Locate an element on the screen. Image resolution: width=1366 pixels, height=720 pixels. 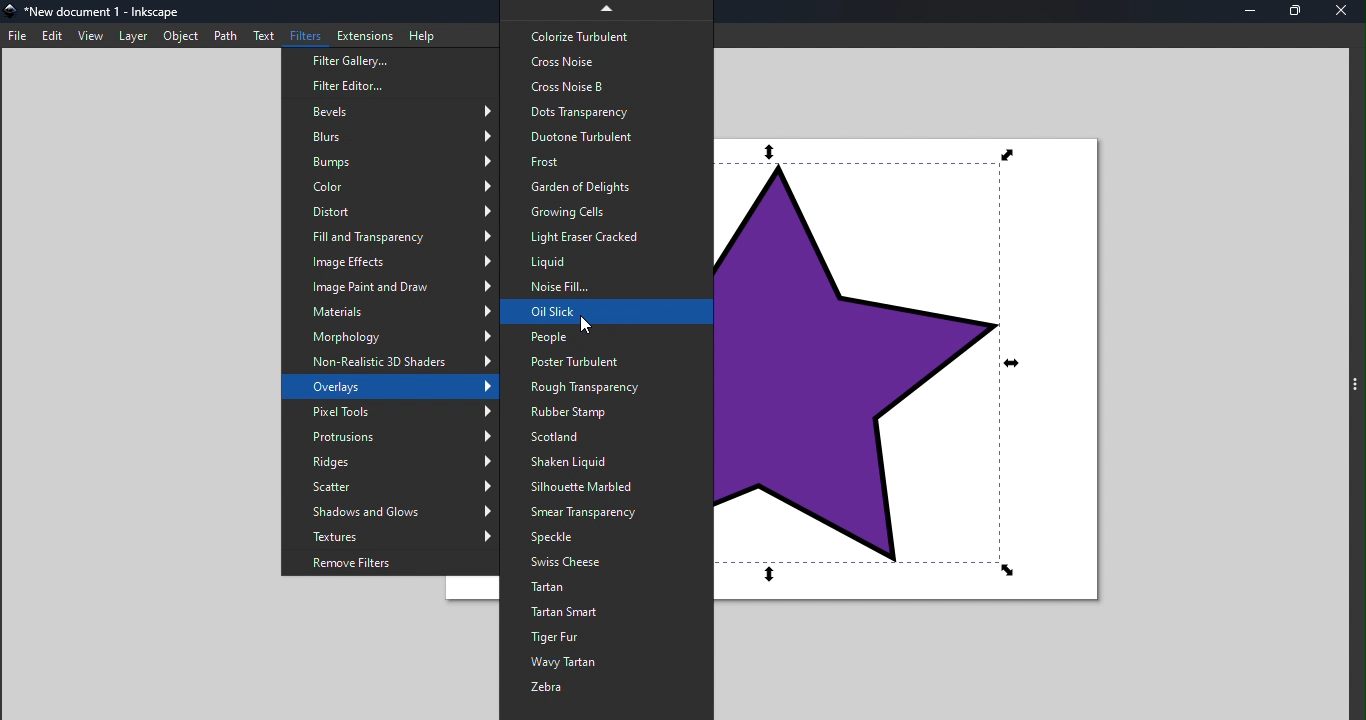
Rubber stamp is located at coordinates (606, 412).